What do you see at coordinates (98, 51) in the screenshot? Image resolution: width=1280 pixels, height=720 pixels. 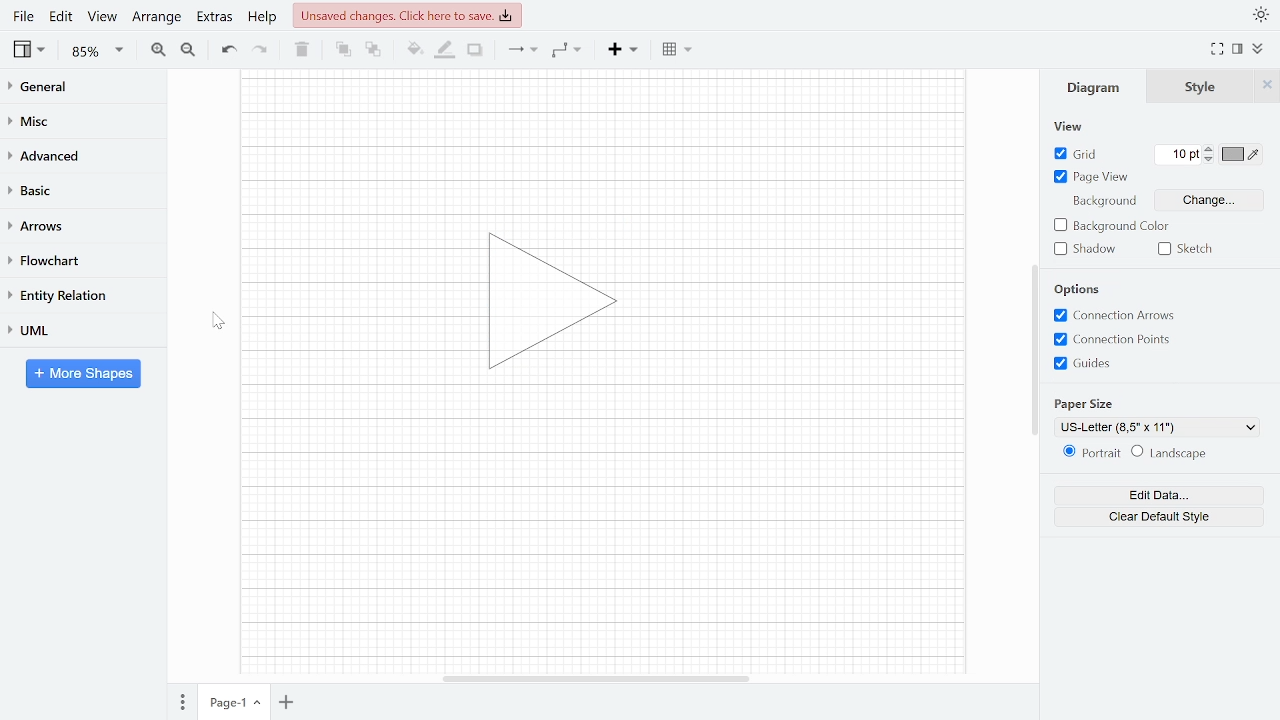 I see `Zoom` at bounding box center [98, 51].